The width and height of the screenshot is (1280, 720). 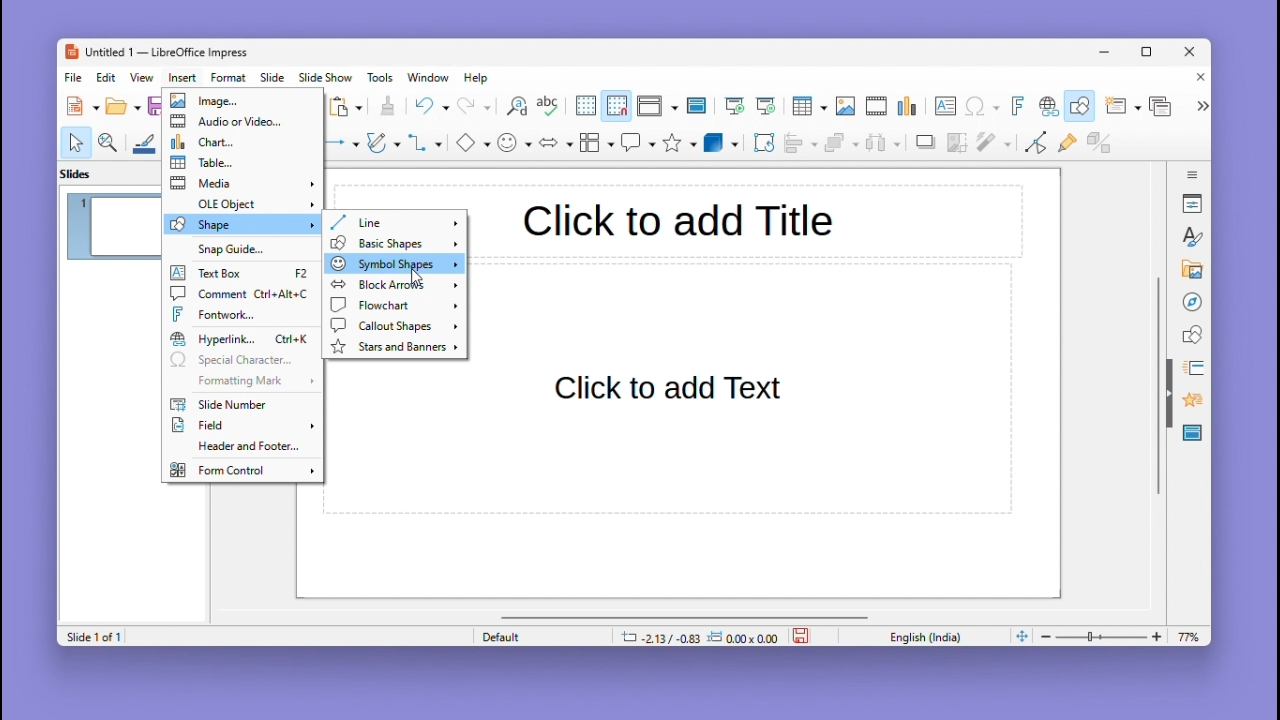 I want to click on Crop image, so click(x=958, y=147).